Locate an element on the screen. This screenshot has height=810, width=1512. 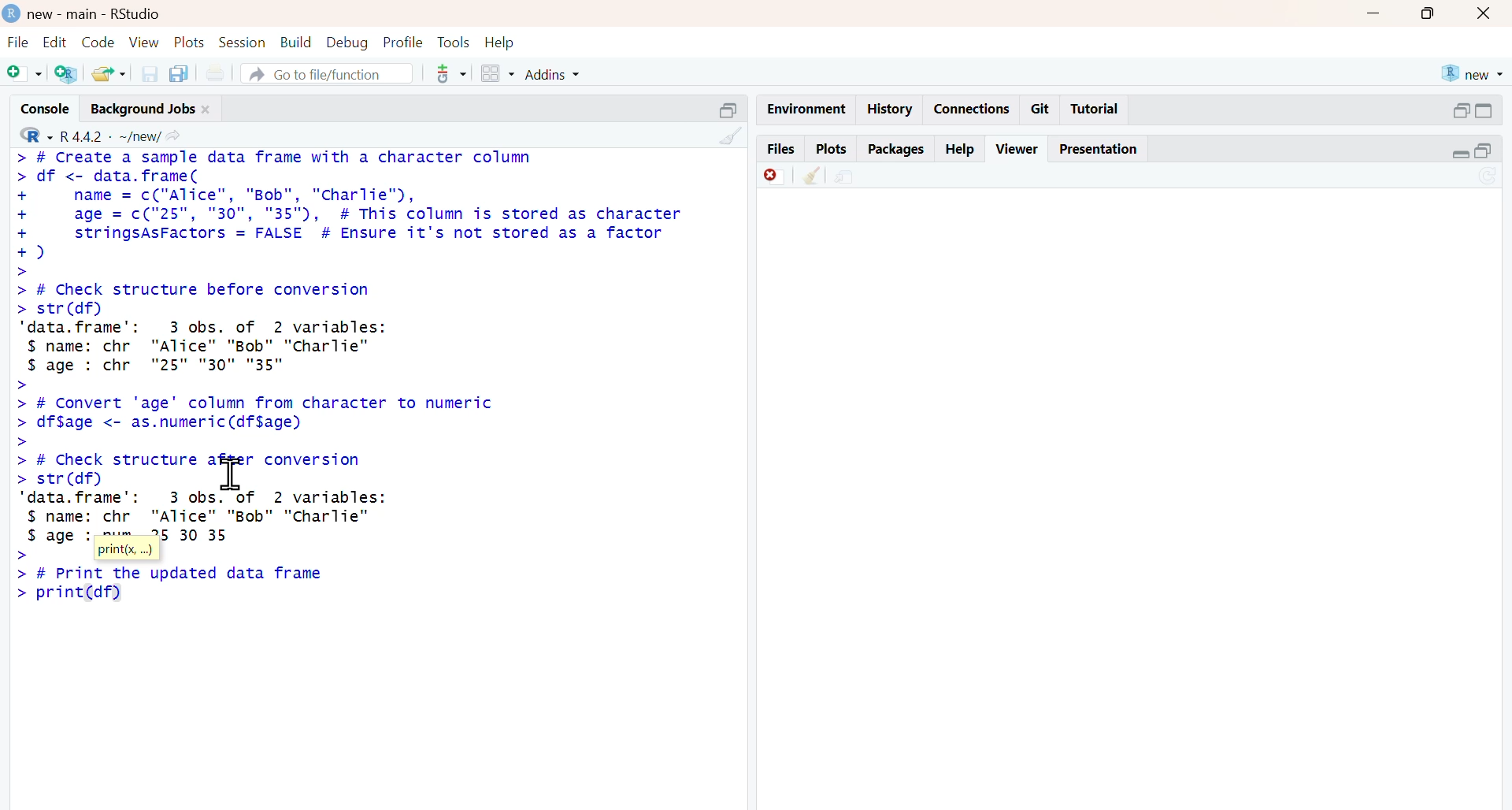
print is located at coordinates (216, 75).